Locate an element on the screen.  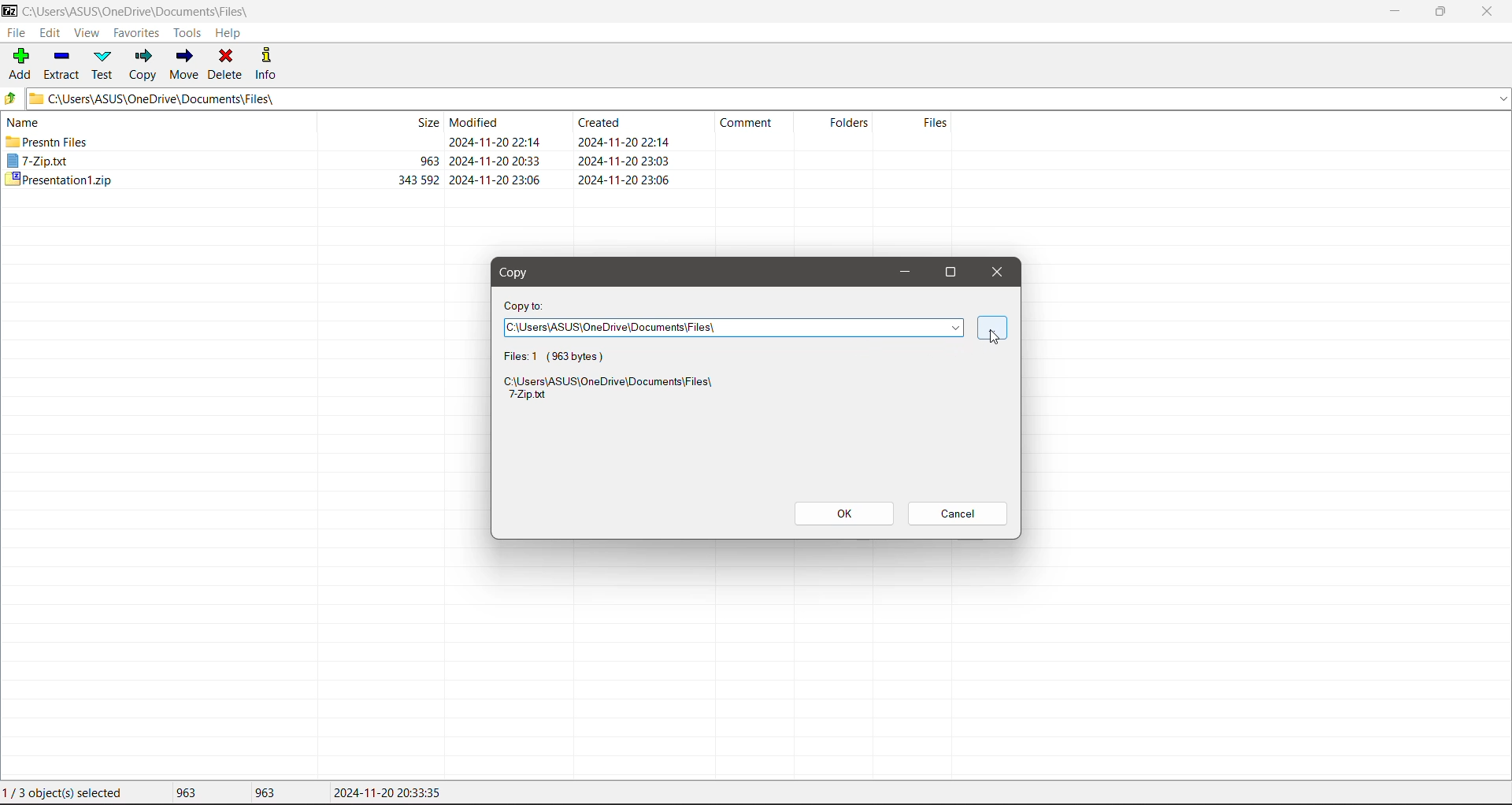
Copy is located at coordinates (521, 274).